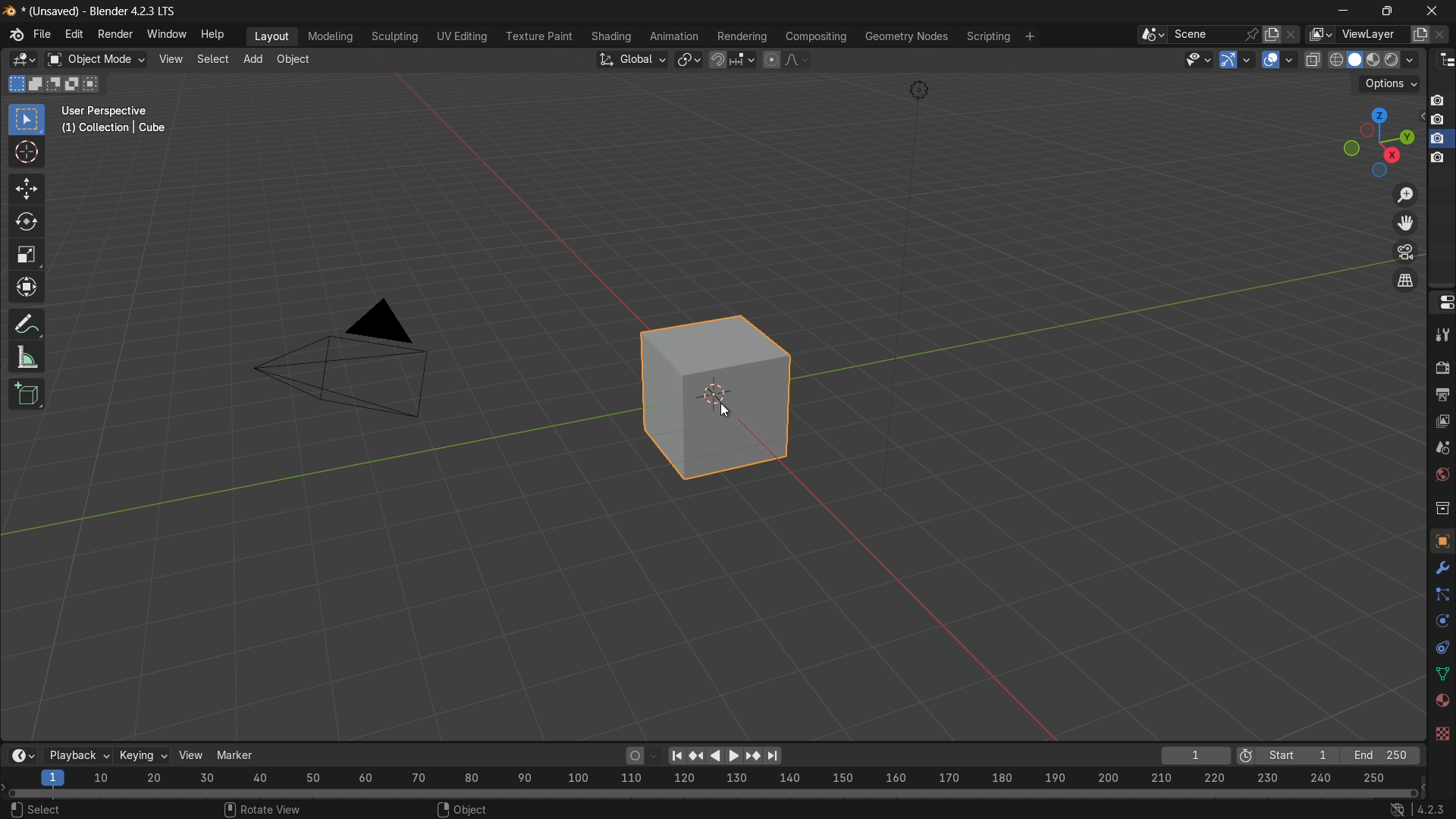 This screenshot has height=819, width=1456. I want to click on transformation orientation, so click(632, 58).